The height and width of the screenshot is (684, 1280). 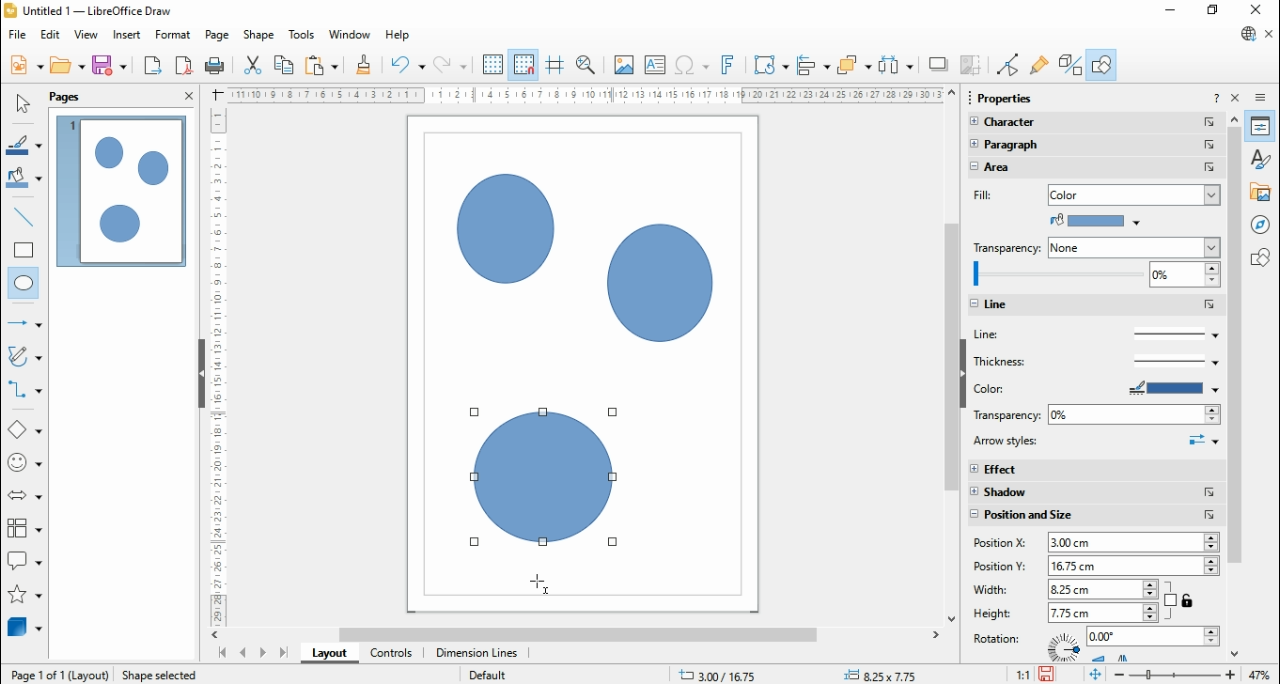 I want to click on Circle shape, so click(x=504, y=230).